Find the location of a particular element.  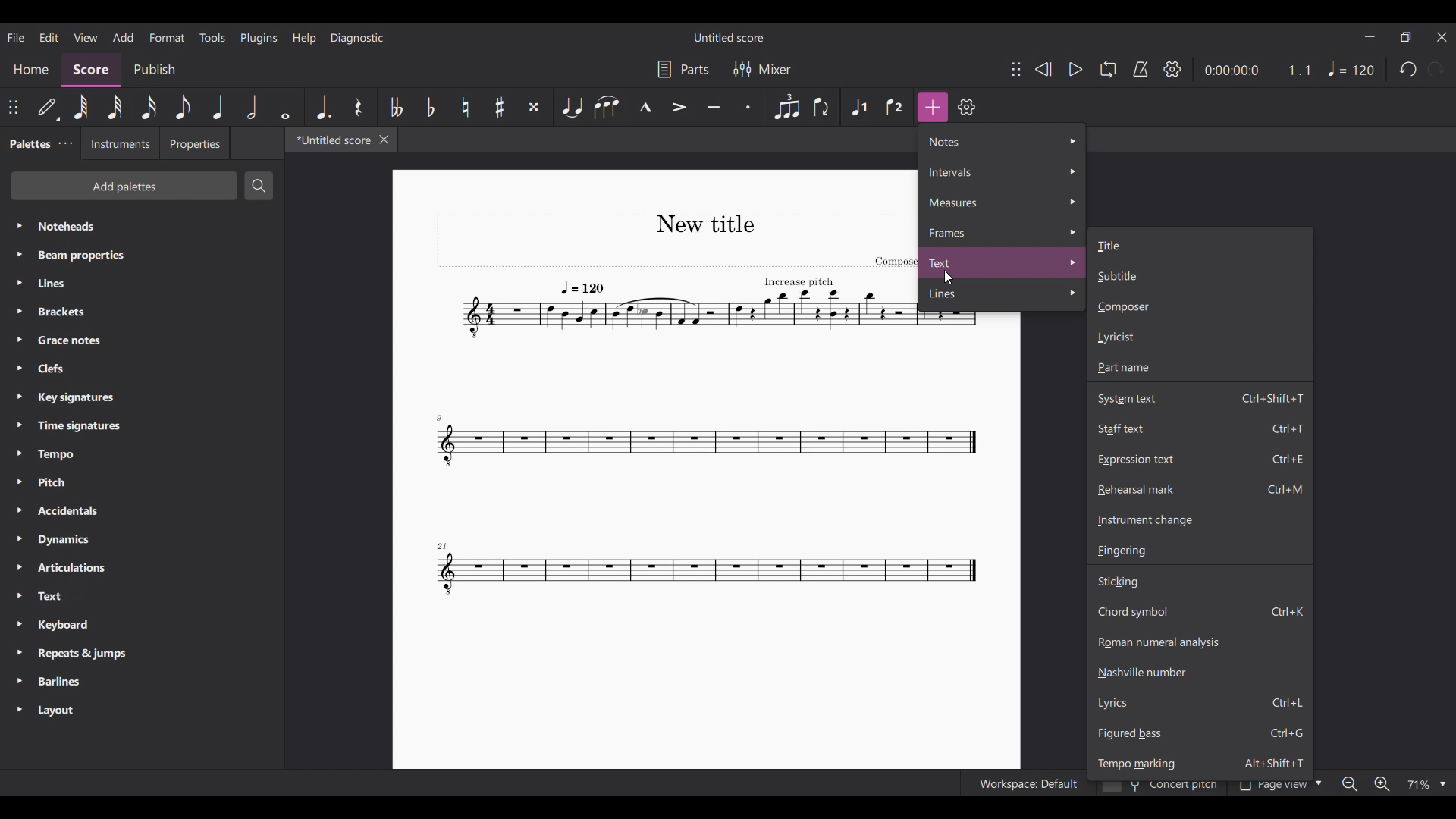

Slur is located at coordinates (607, 107).